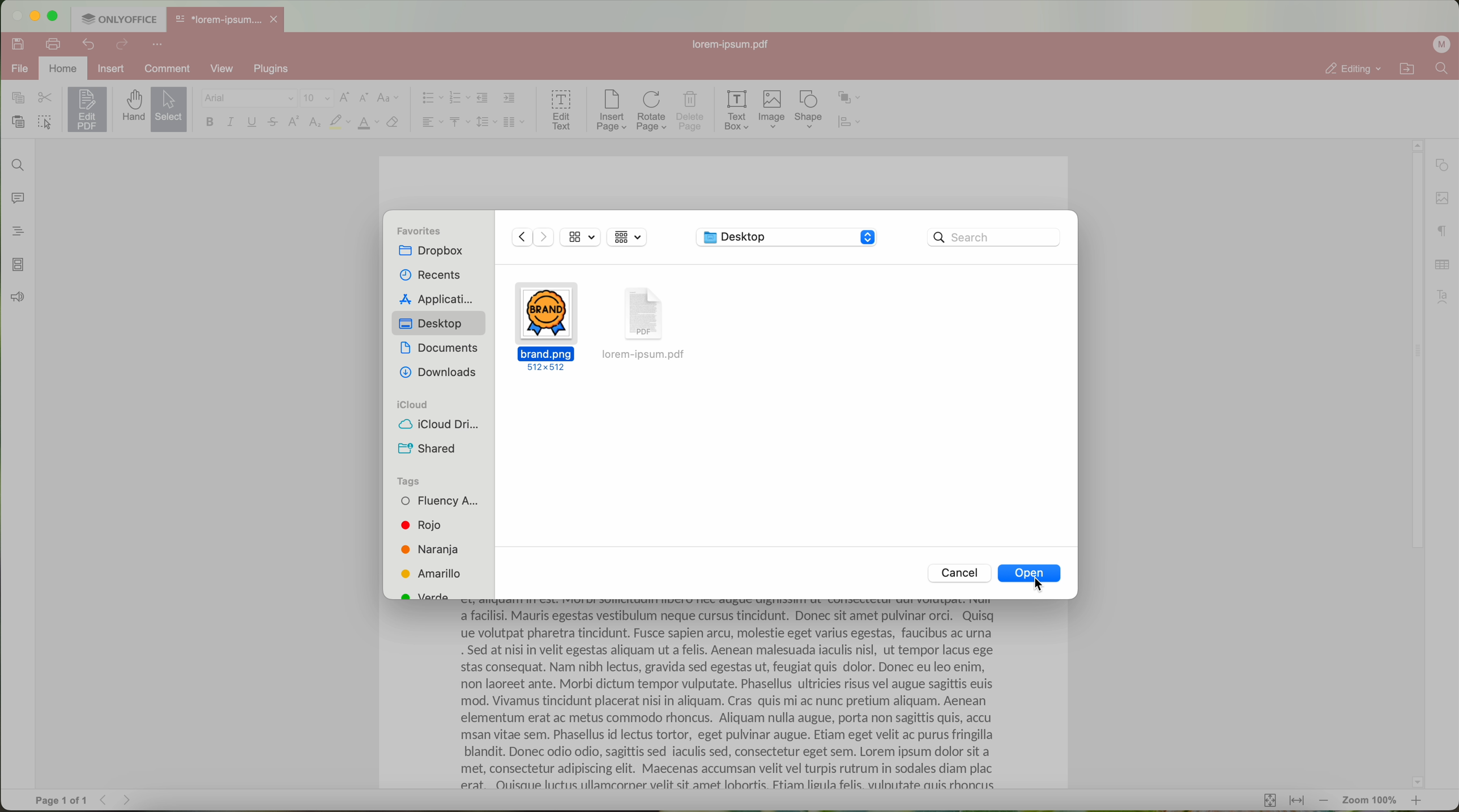 Image resolution: width=1459 pixels, height=812 pixels. I want to click on arrange shape, so click(850, 98).